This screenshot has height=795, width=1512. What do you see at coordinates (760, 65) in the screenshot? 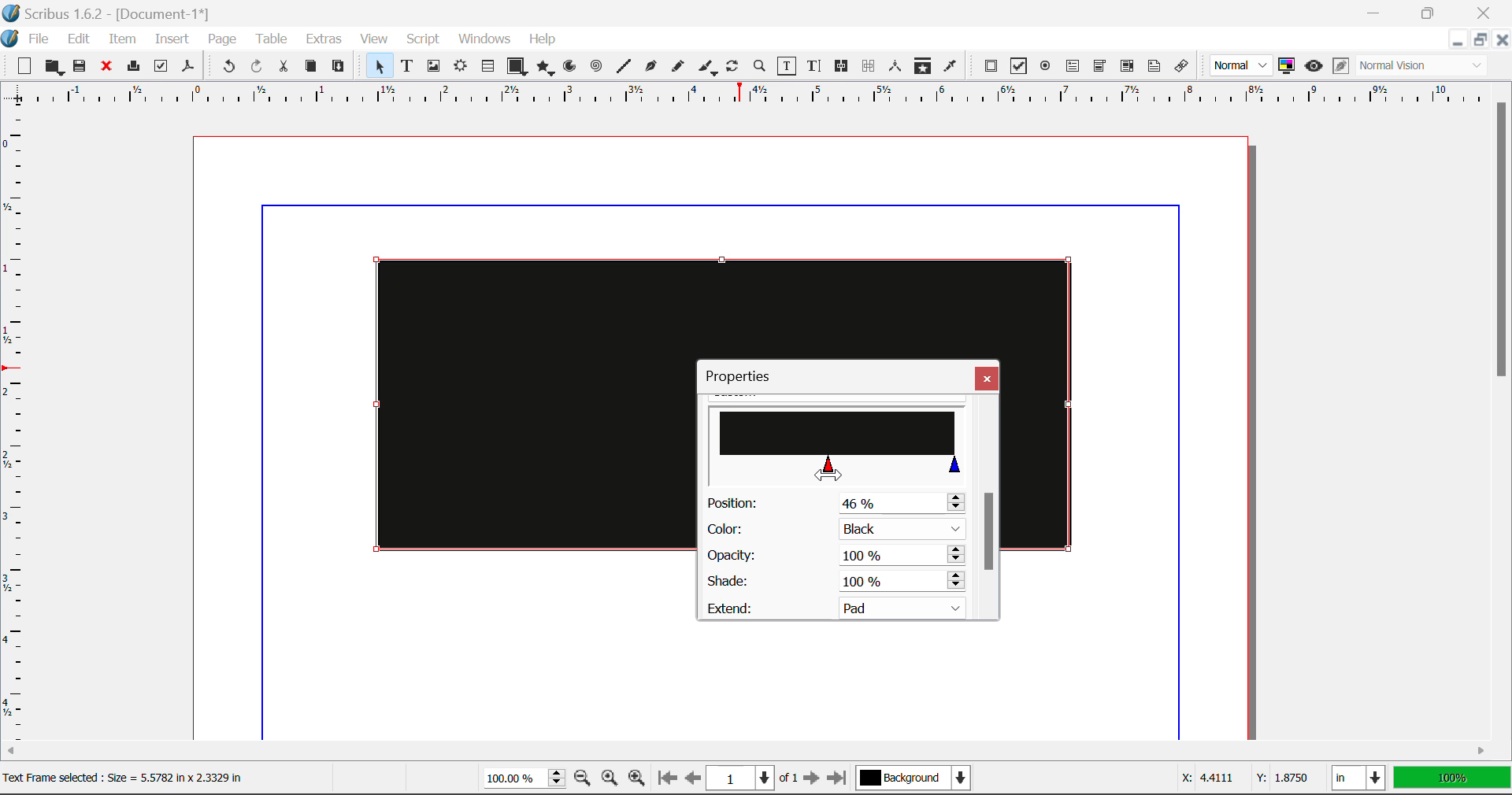
I see `Zoom` at bounding box center [760, 65].